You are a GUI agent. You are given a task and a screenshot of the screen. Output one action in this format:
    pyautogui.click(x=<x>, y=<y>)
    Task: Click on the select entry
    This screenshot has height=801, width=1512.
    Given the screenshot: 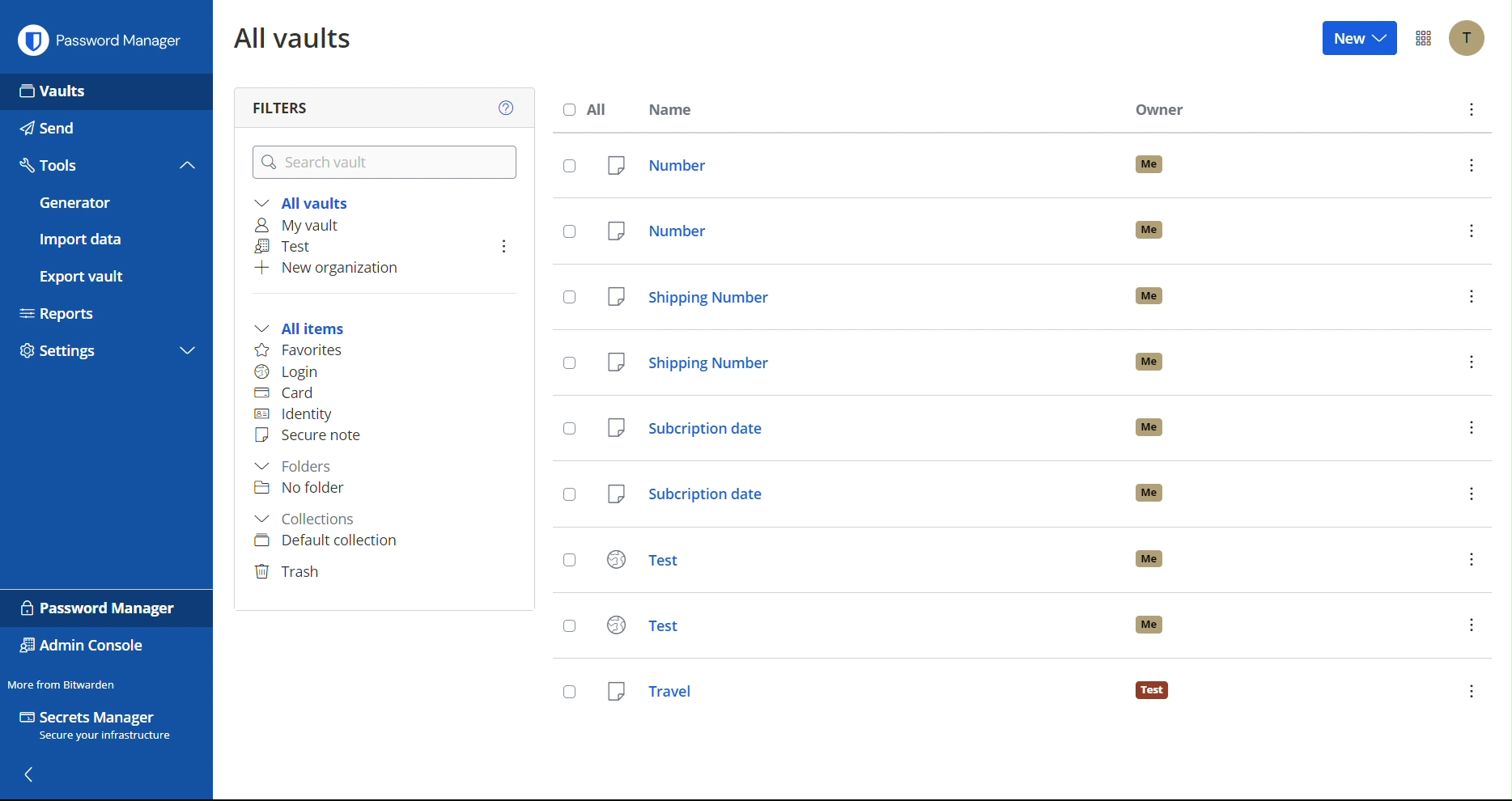 What is the action you would take?
    pyautogui.click(x=571, y=298)
    